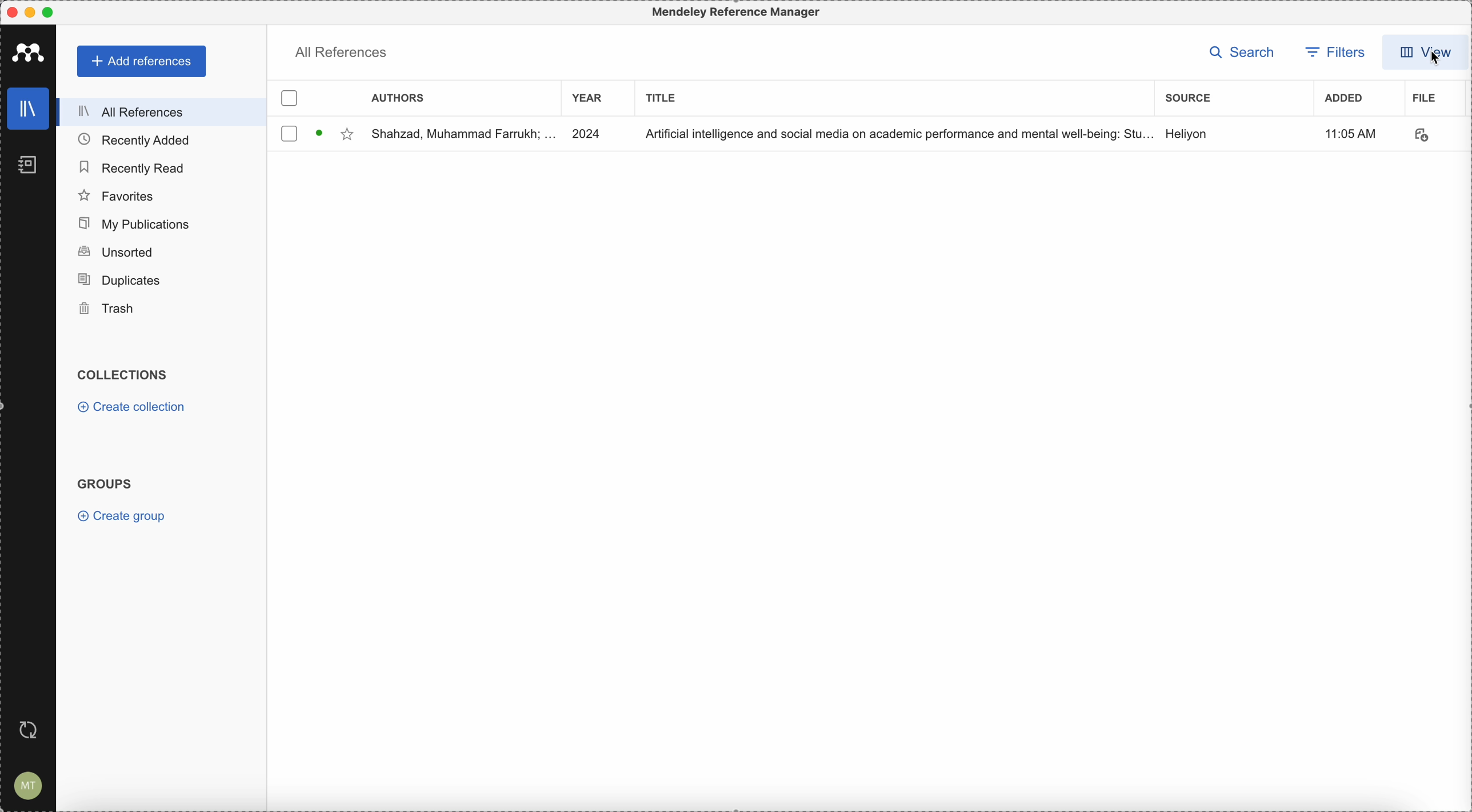 The height and width of the screenshot is (812, 1472). What do you see at coordinates (463, 135) in the screenshot?
I see `Shahzad, Muhammad Farrukh` at bounding box center [463, 135].